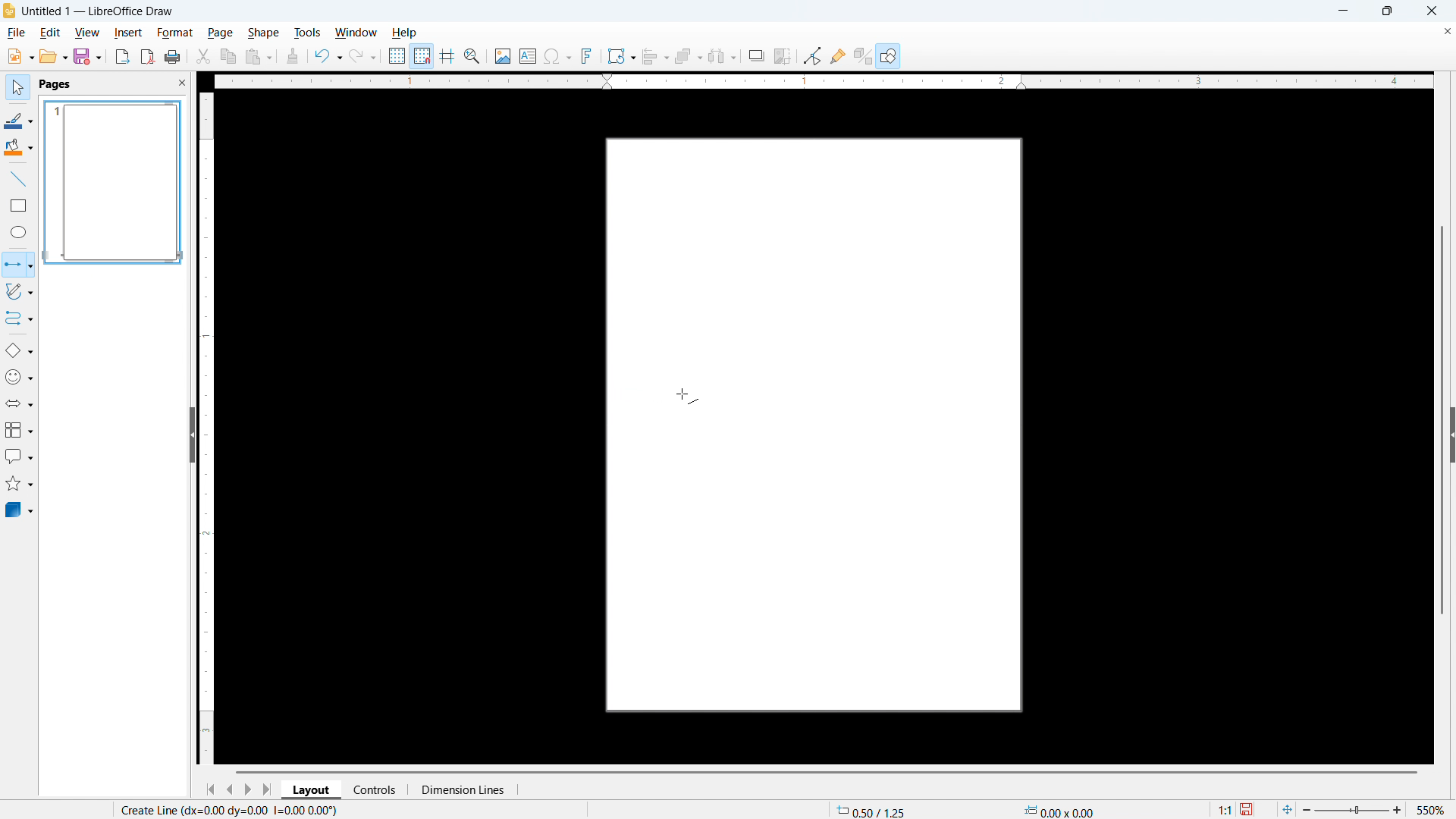  Describe the element at coordinates (191, 432) in the screenshot. I see `Hide panel ` at that location.